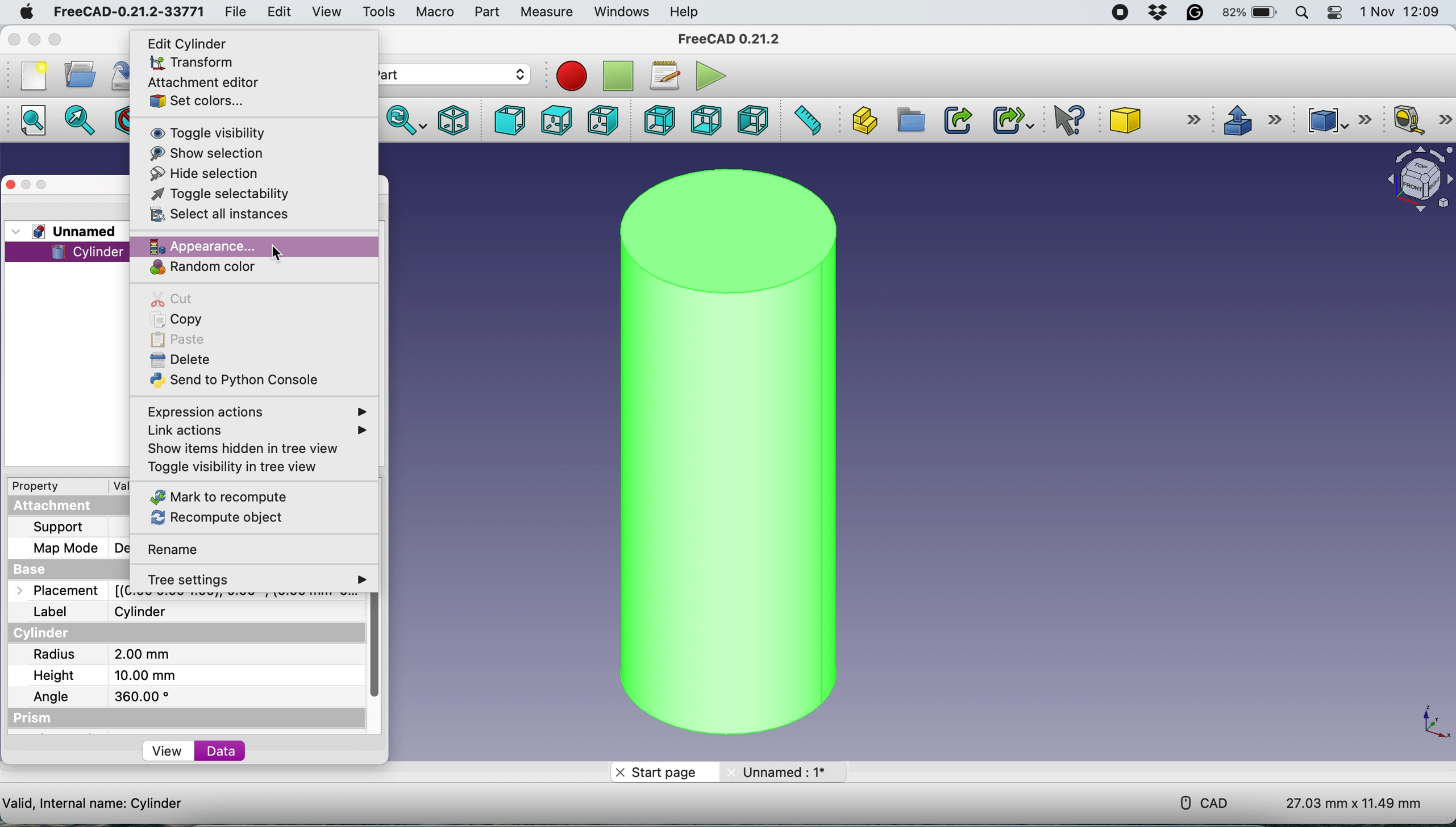 Image resolution: width=1456 pixels, height=827 pixels. I want to click on start page, so click(661, 773).